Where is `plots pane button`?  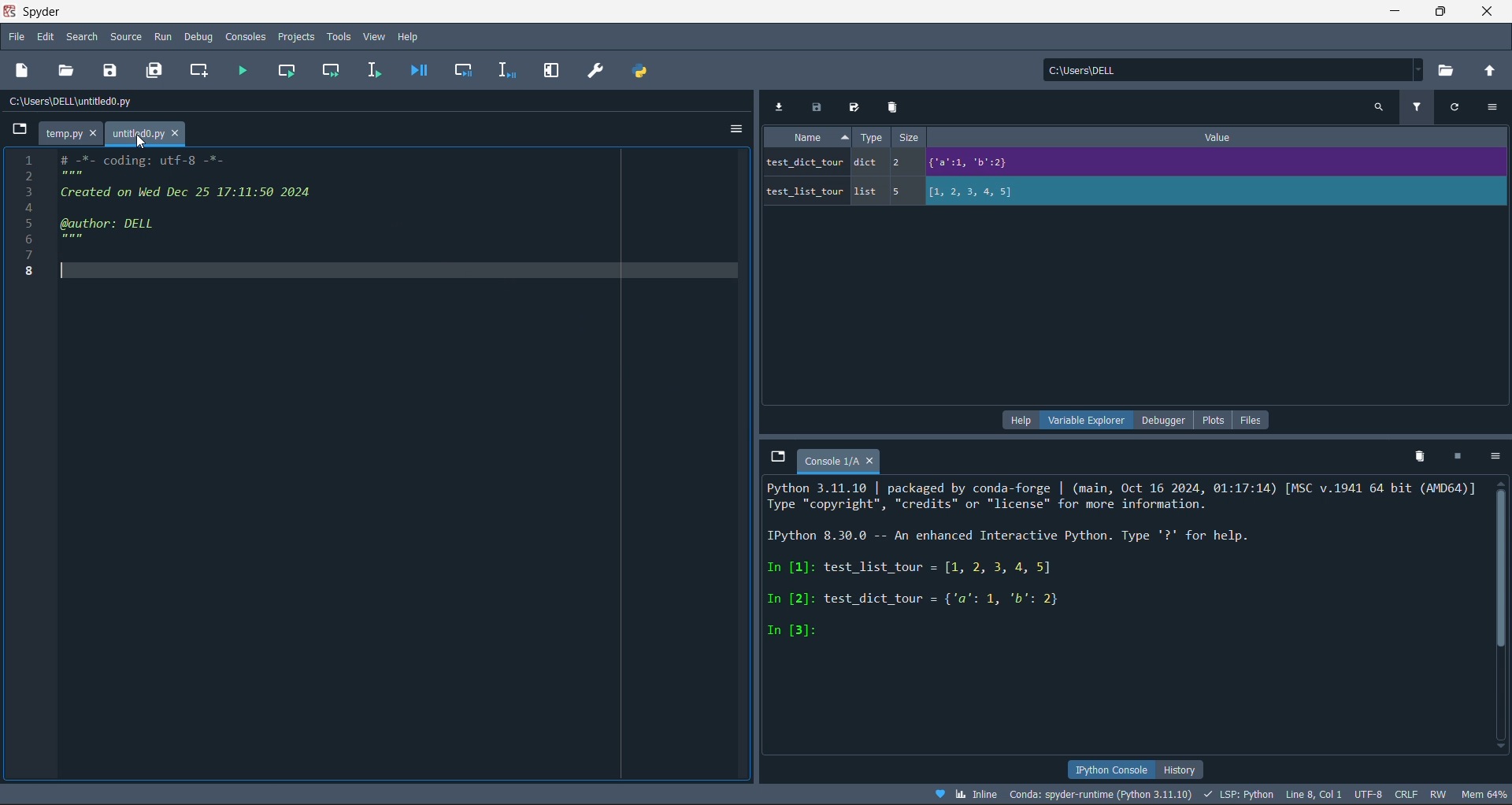
plots pane button is located at coordinates (1211, 421).